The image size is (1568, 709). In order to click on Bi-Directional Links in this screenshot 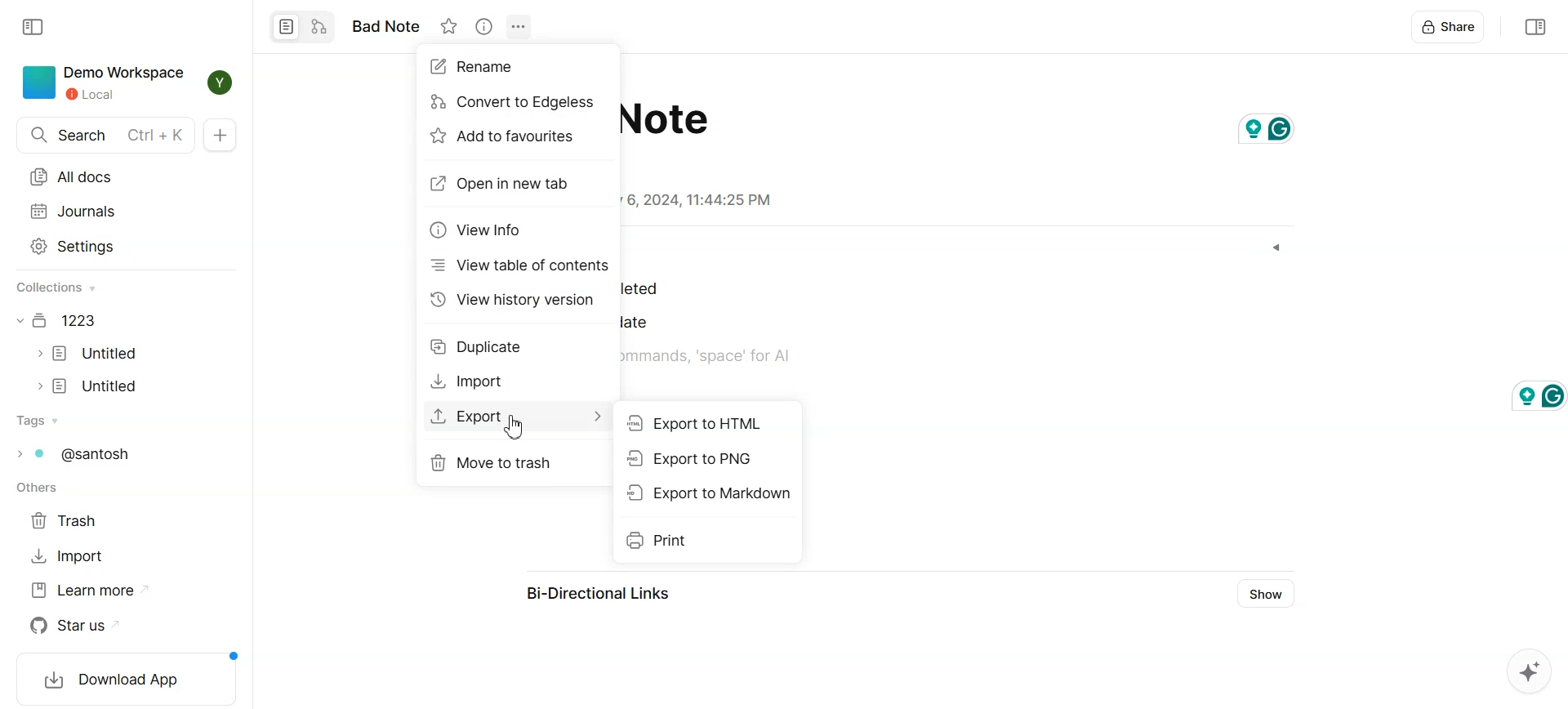, I will do `click(592, 591)`.